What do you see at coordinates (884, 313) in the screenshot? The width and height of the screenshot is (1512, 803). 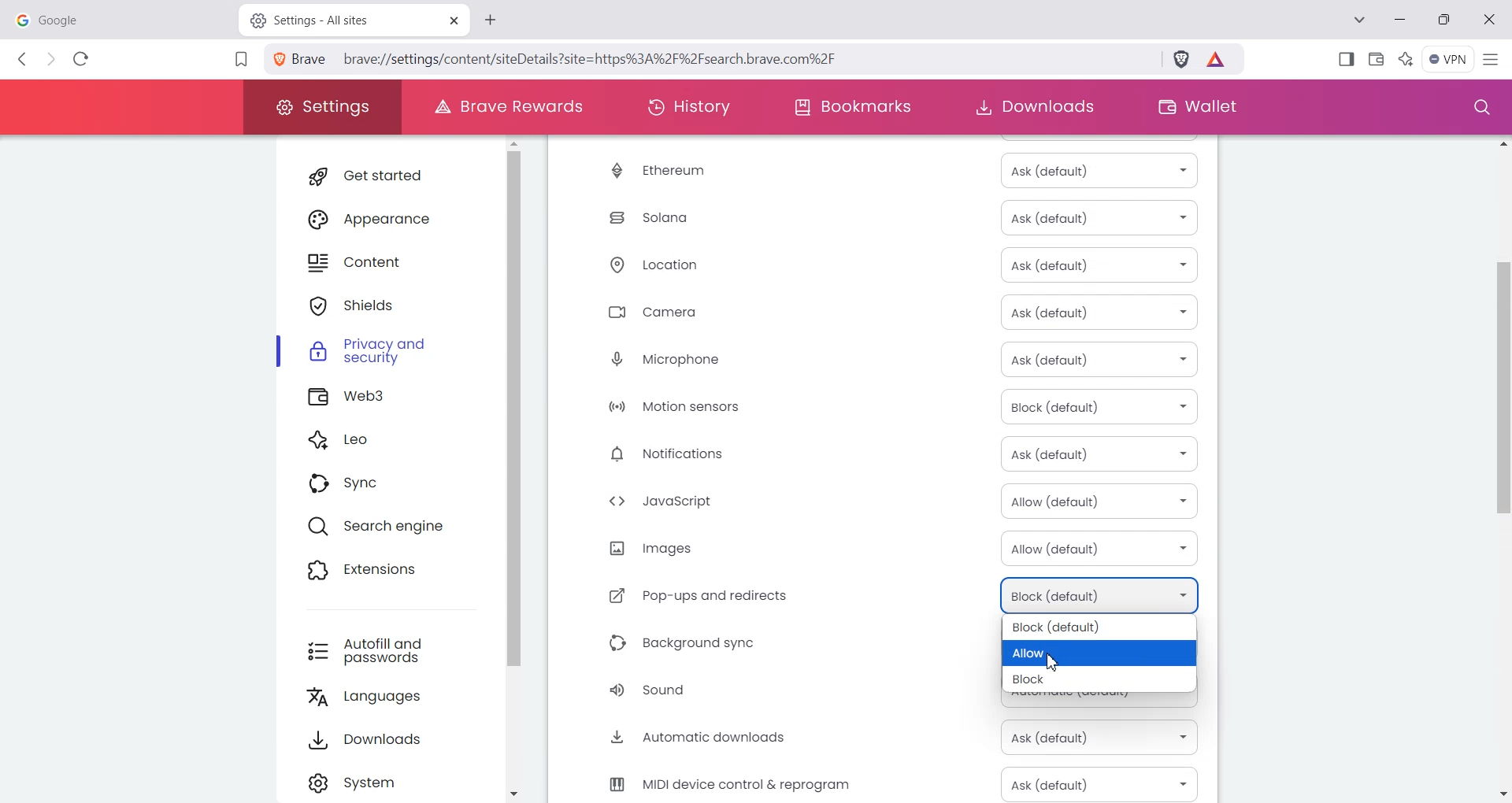 I see `Camera Ask (Default)` at bounding box center [884, 313].